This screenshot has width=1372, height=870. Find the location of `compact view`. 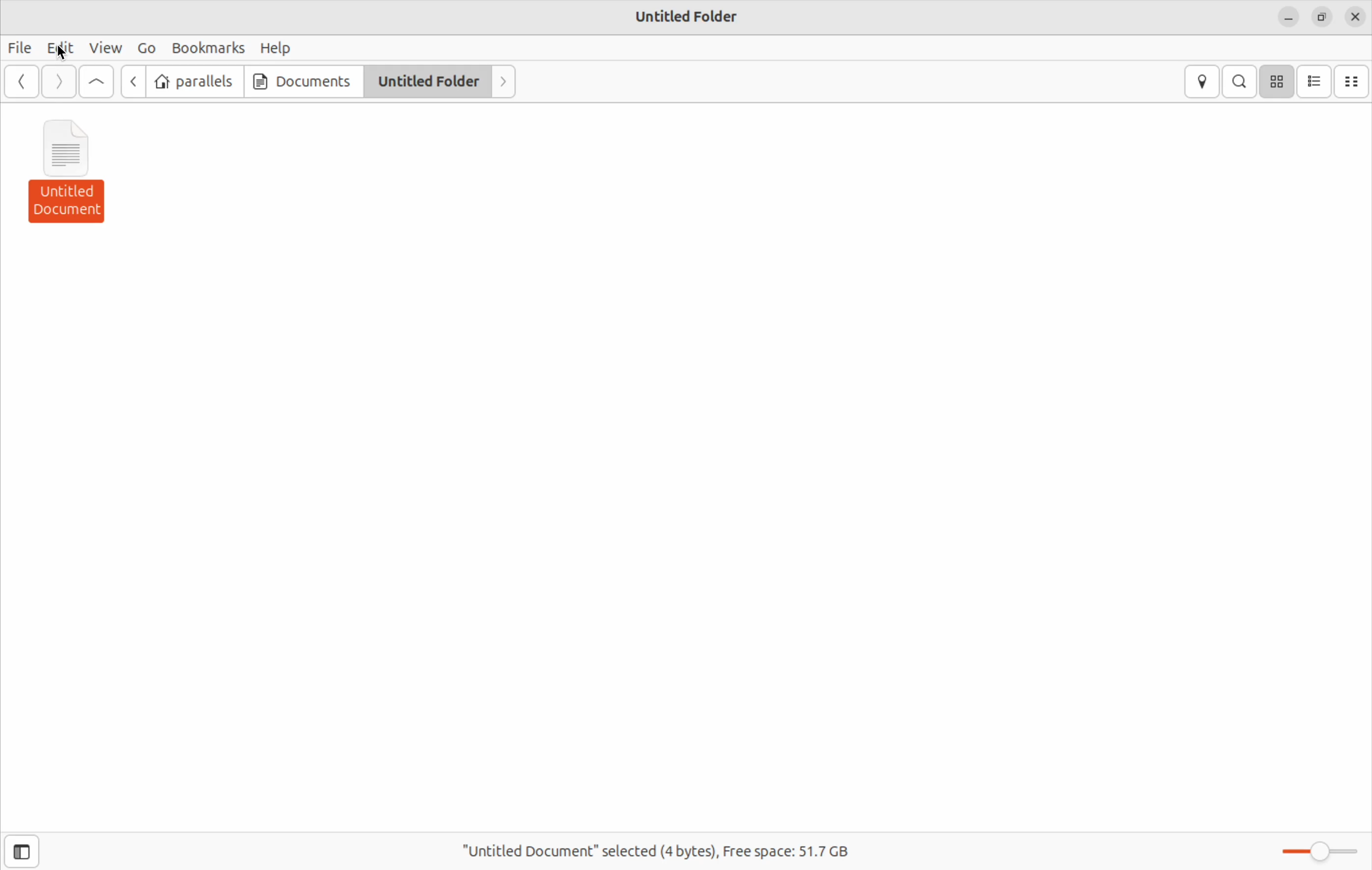

compact view is located at coordinates (1353, 83).